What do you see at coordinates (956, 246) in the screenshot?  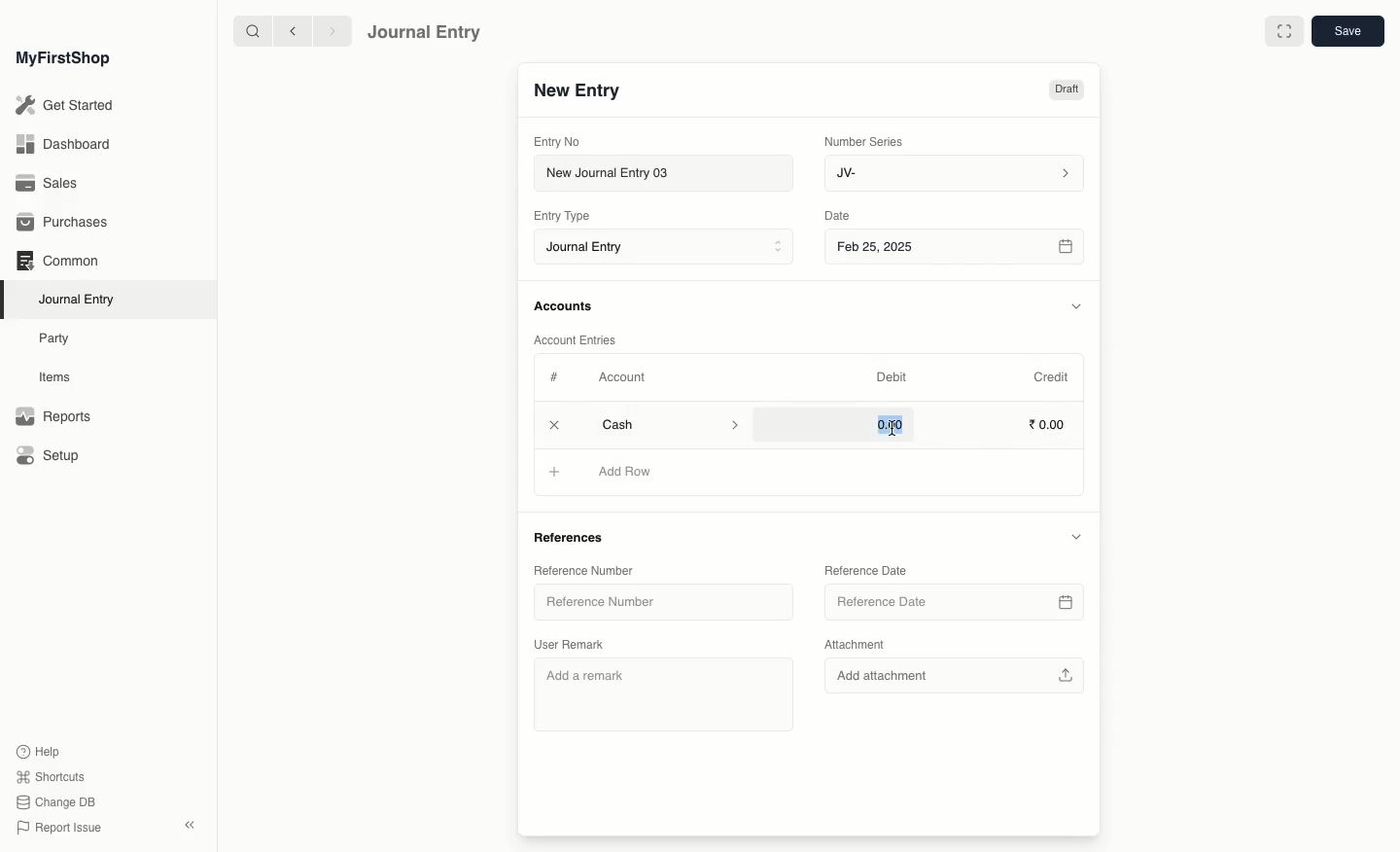 I see `Feb 25, 2025 8` at bounding box center [956, 246].